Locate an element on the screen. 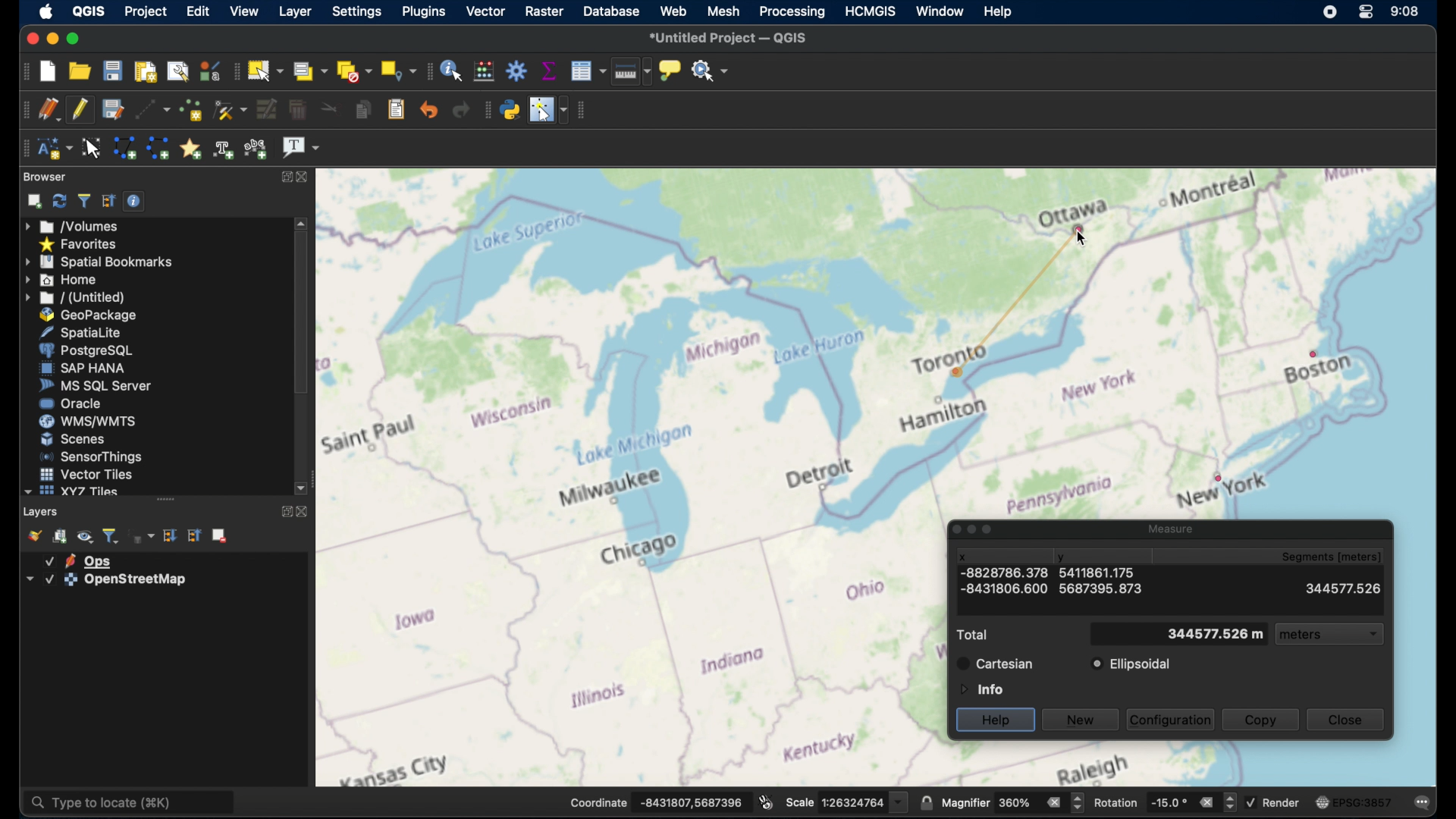 The image size is (1456, 819). plugins toolbar is located at coordinates (485, 109).